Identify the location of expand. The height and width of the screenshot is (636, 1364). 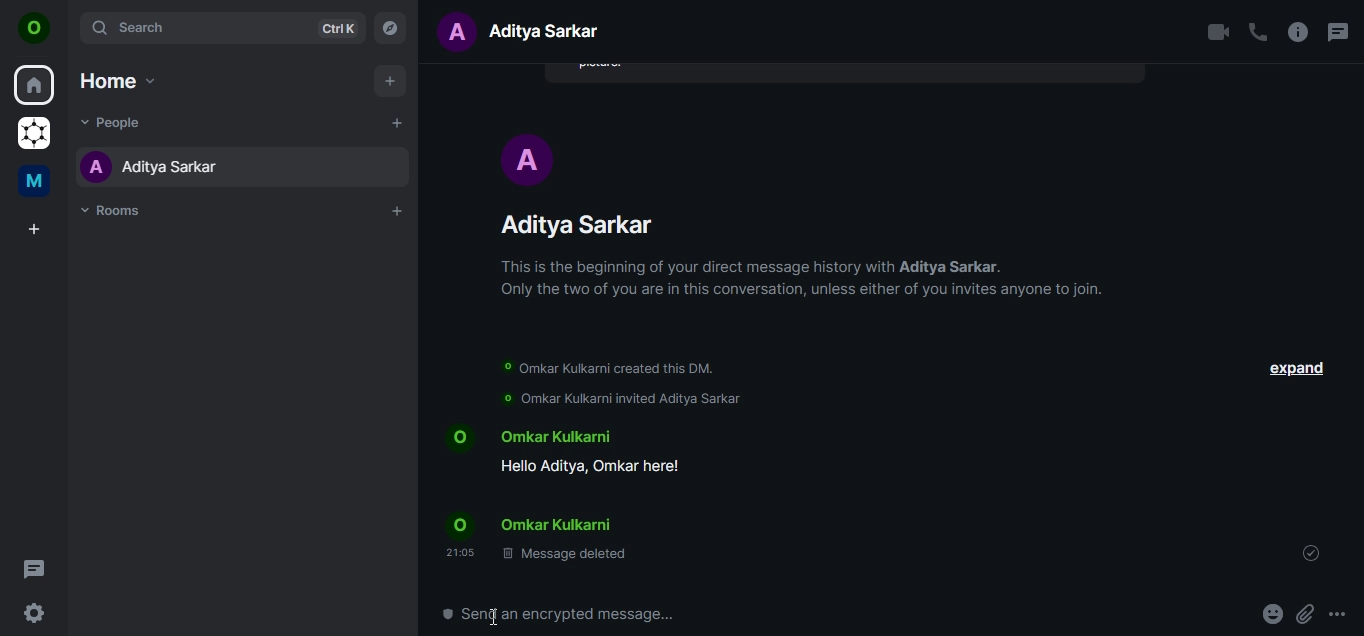
(1298, 368).